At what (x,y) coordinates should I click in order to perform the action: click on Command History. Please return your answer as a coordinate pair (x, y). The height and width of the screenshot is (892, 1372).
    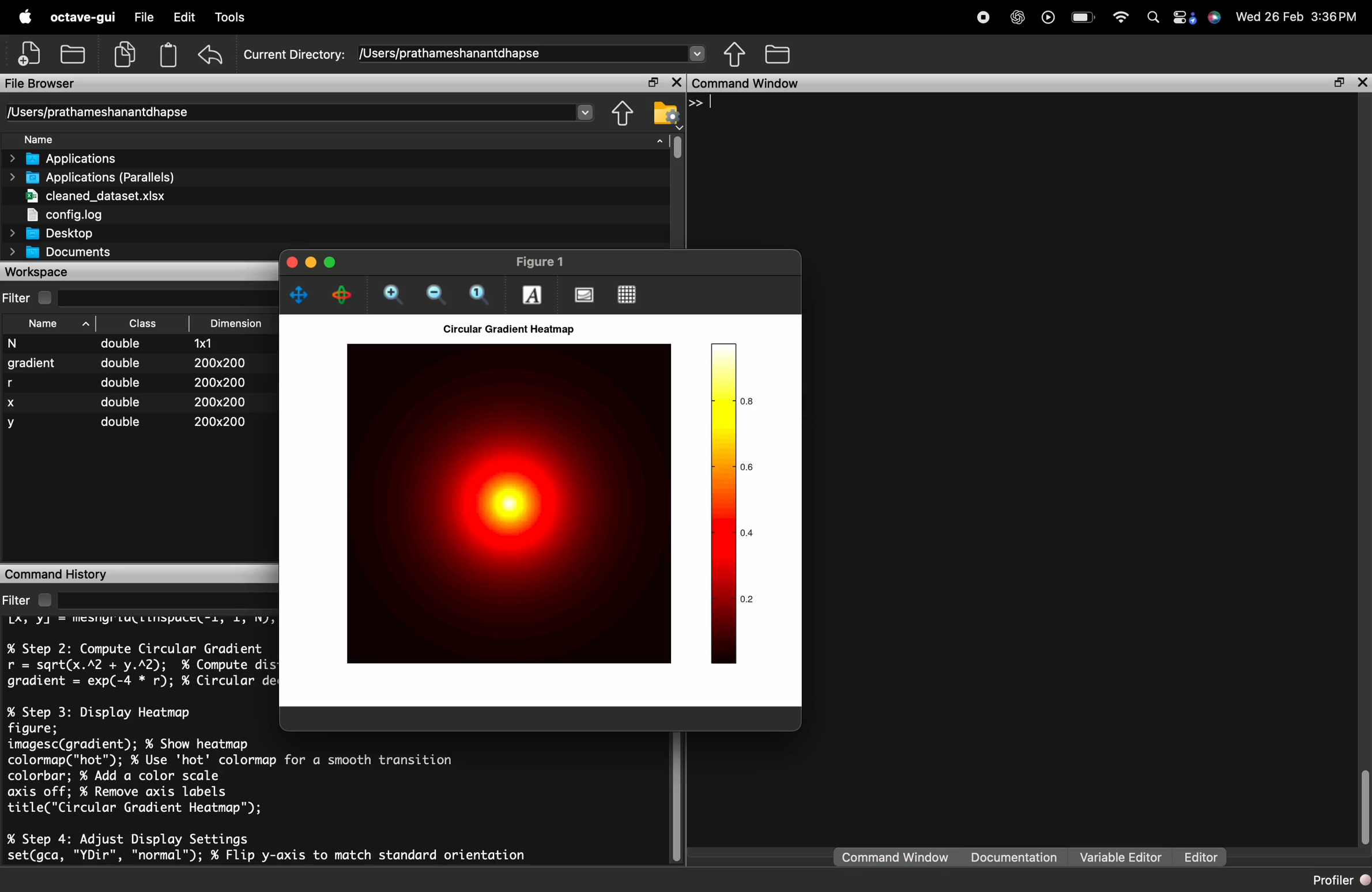
    Looking at the image, I should click on (134, 573).